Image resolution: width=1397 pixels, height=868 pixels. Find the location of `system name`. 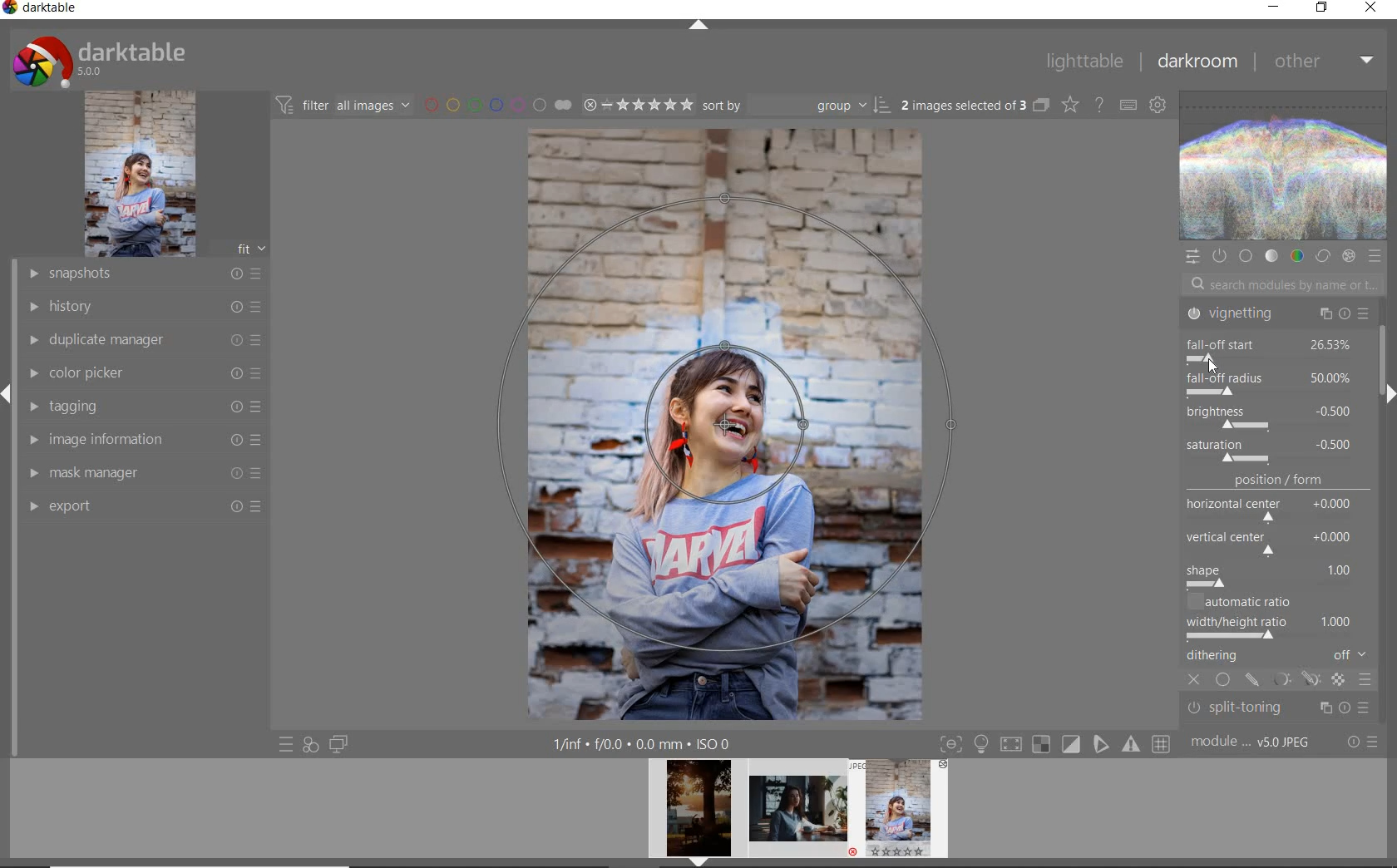

system name is located at coordinates (41, 10).